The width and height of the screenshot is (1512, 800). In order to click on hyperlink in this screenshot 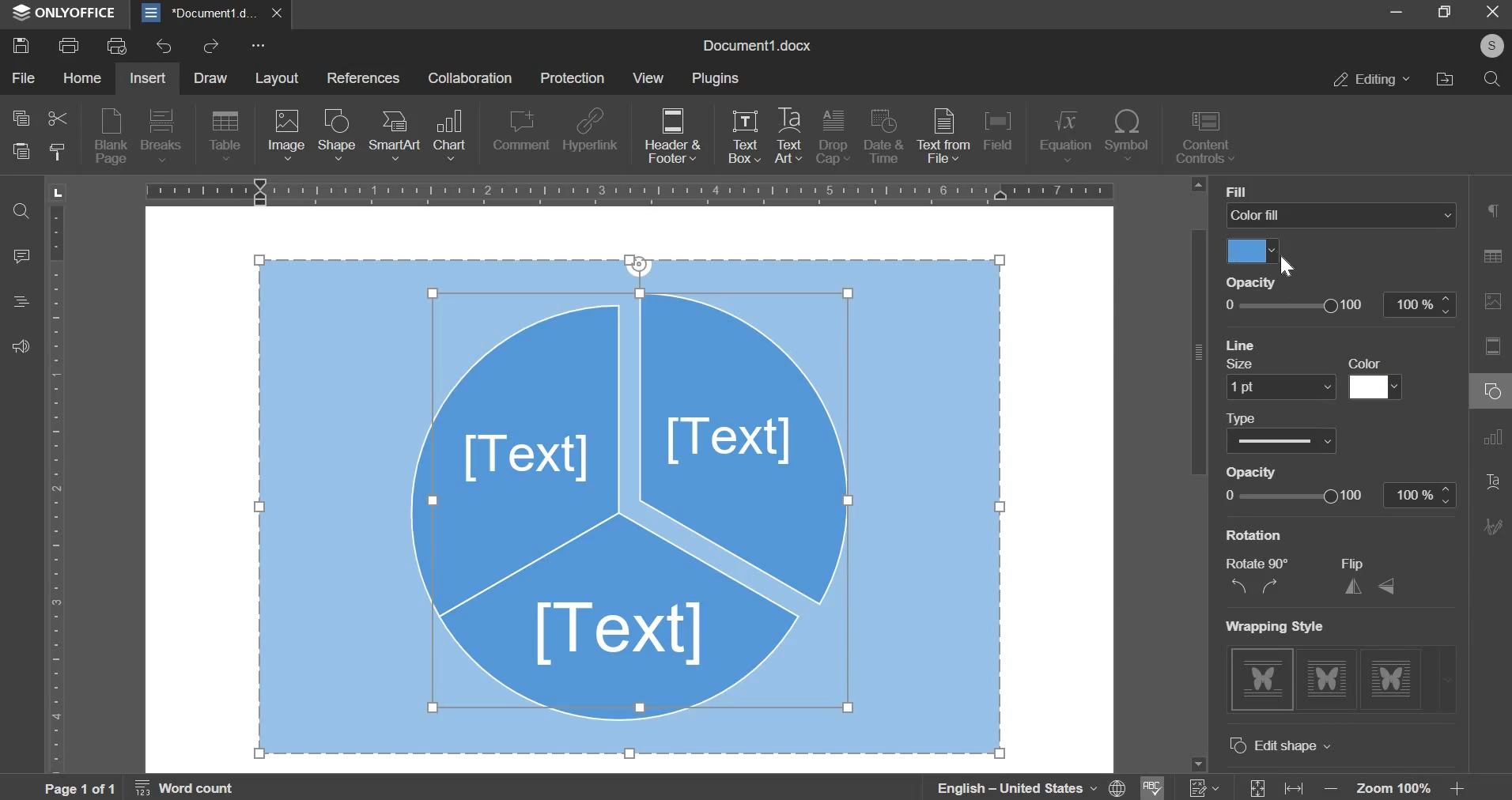, I will do `click(592, 128)`.